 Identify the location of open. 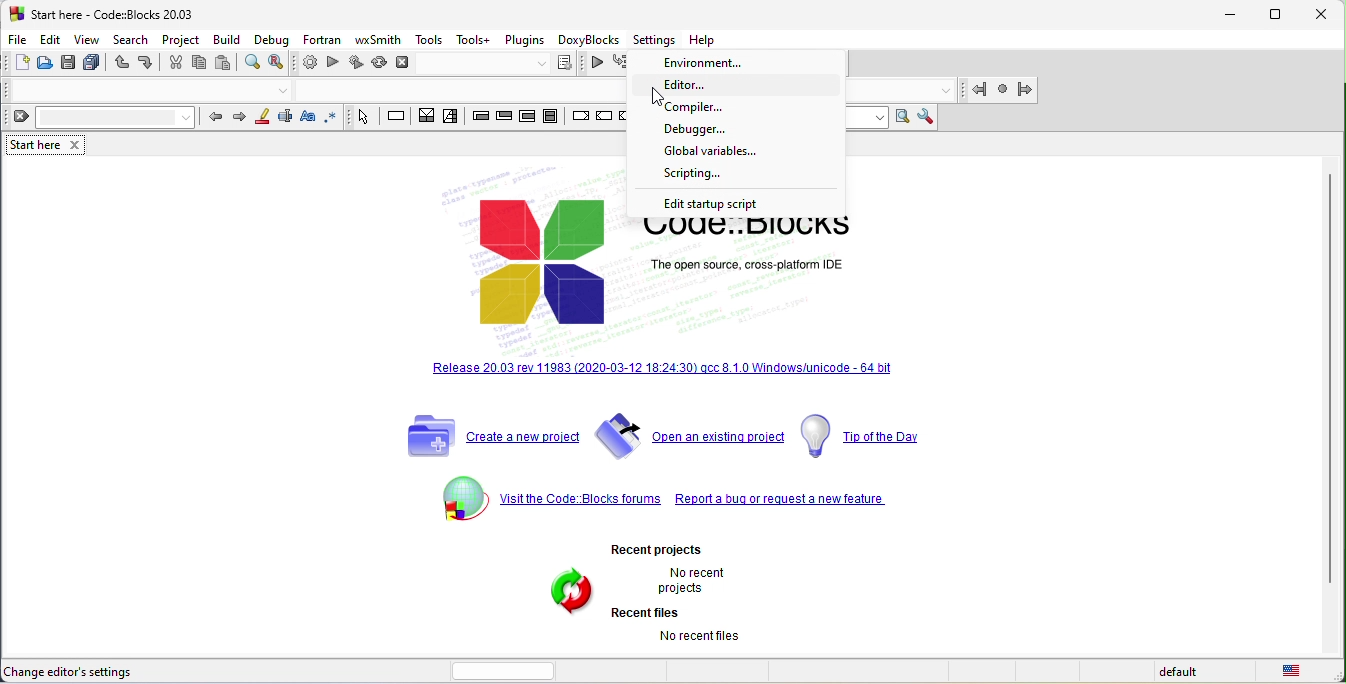
(46, 66).